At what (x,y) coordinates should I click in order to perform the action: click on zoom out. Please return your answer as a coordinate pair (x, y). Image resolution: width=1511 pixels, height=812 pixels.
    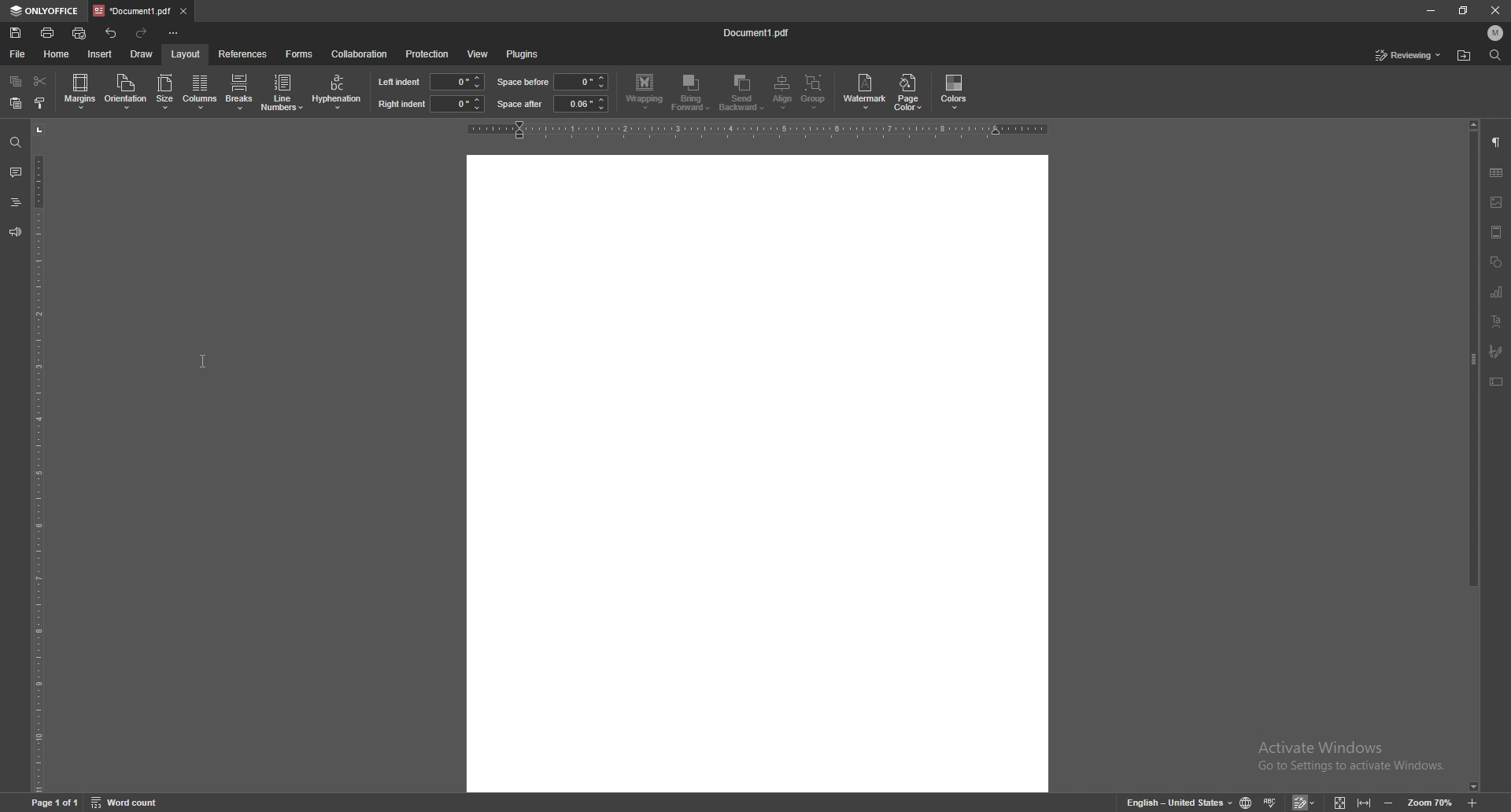
    Looking at the image, I should click on (1389, 803).